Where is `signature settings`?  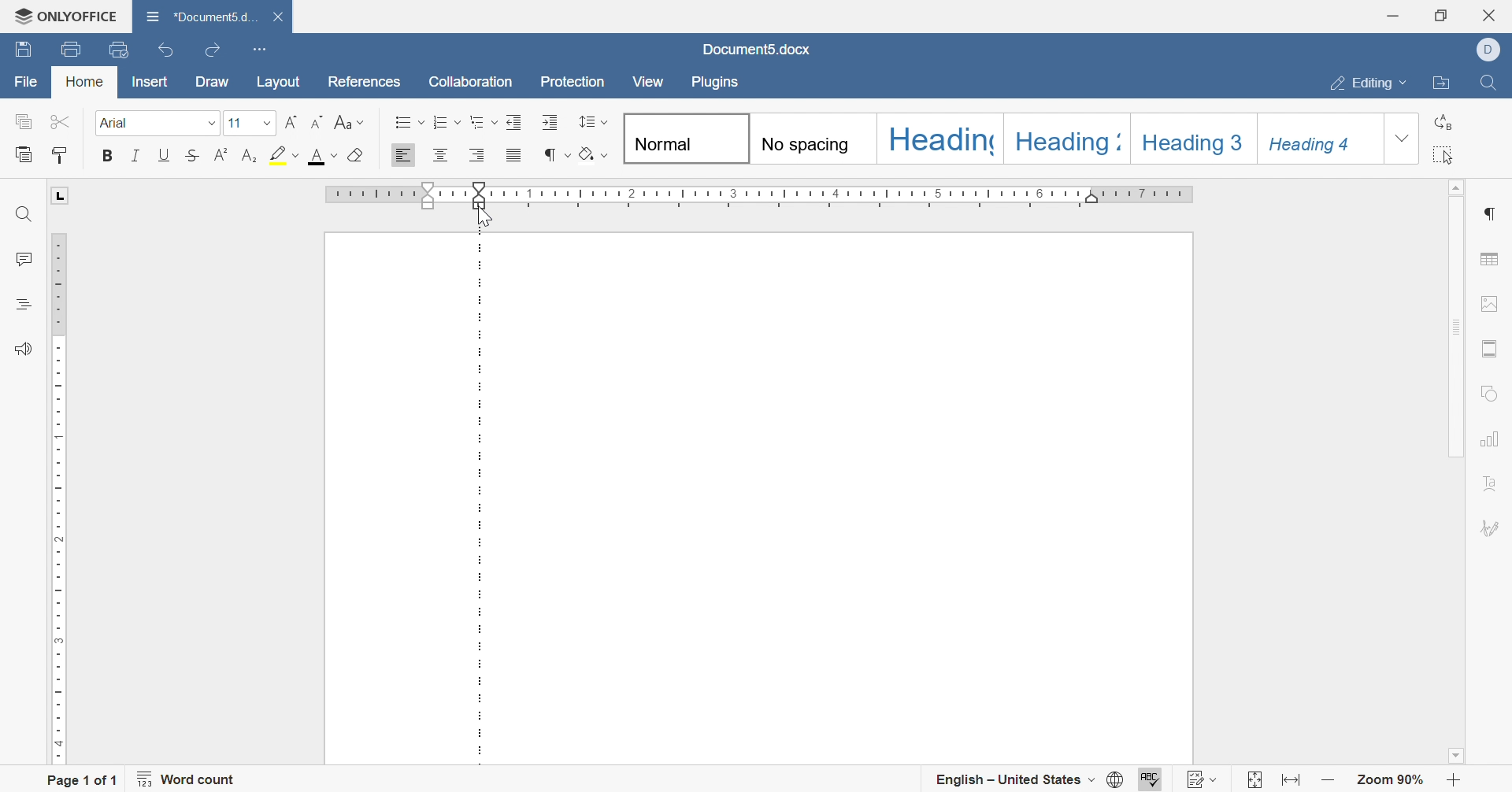 signature settings is located at coordinates (1492, 527).